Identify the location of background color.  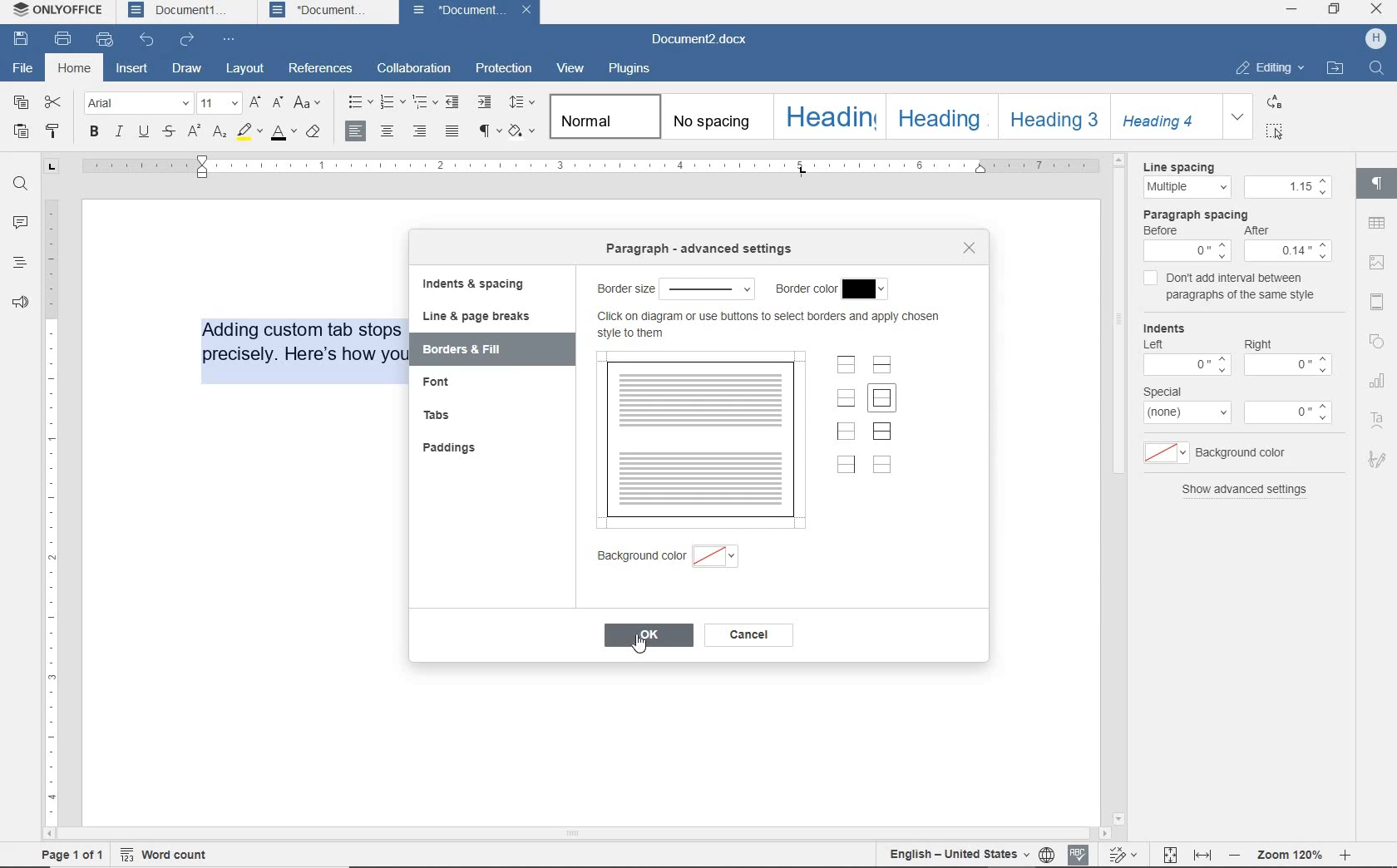
(723, 555).